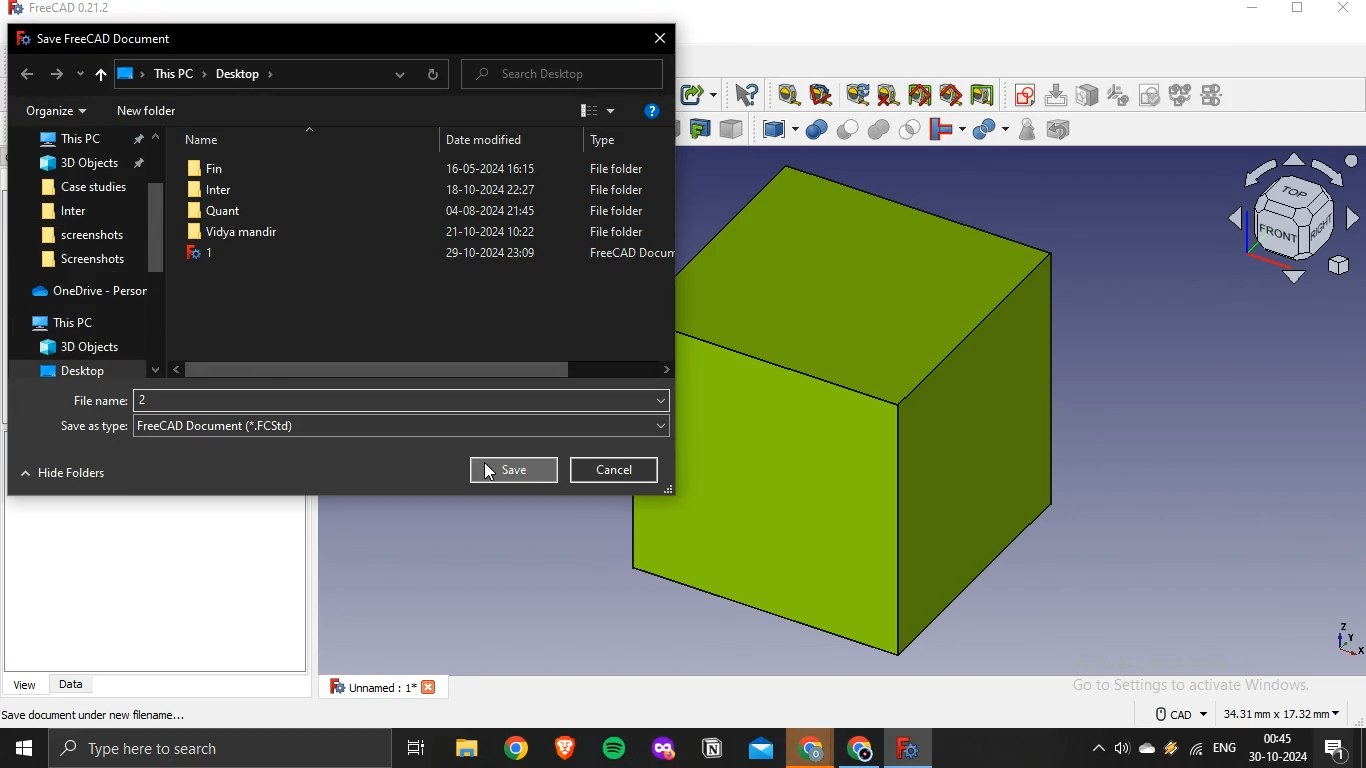 Image resolution: width=1366 pixels, height=768 pixels. What do you see at coordinates (466, 748) in the screenshot?
I see `file explorer` at bounding box center [466, 748].